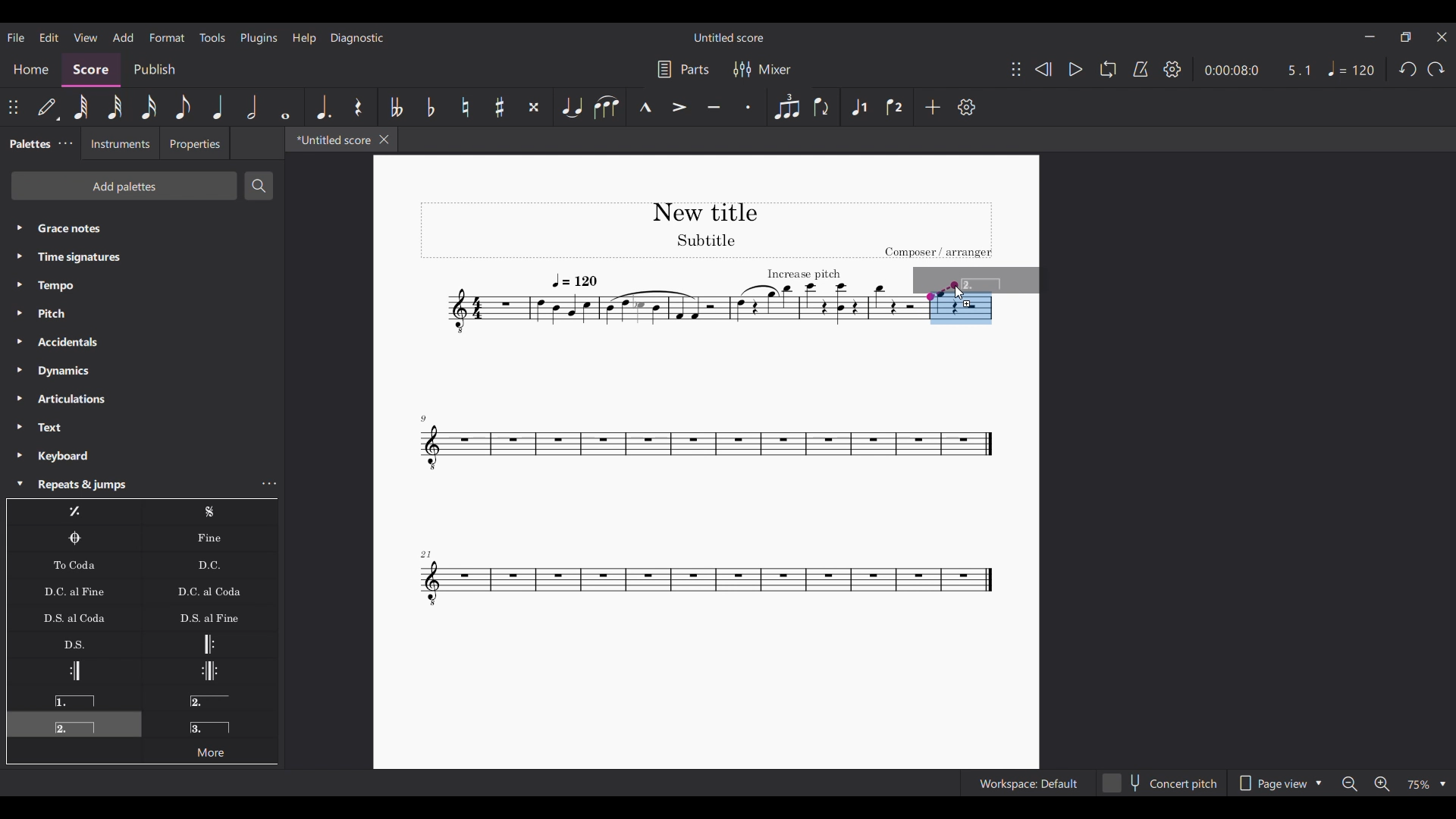  I want to click on Change position, so click(13, 107).